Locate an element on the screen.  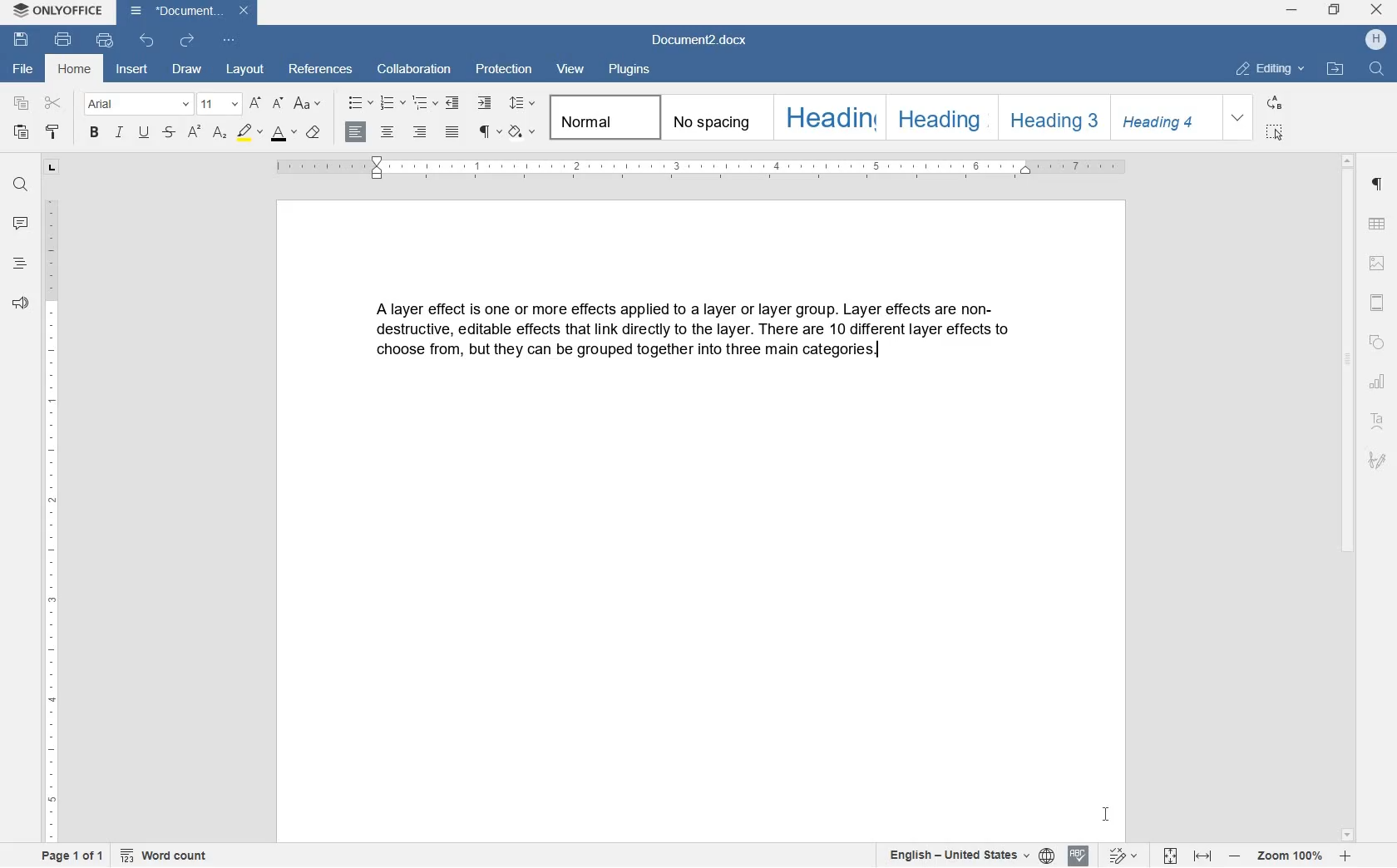
FONT SIZE is located at coordinates (217, 106).